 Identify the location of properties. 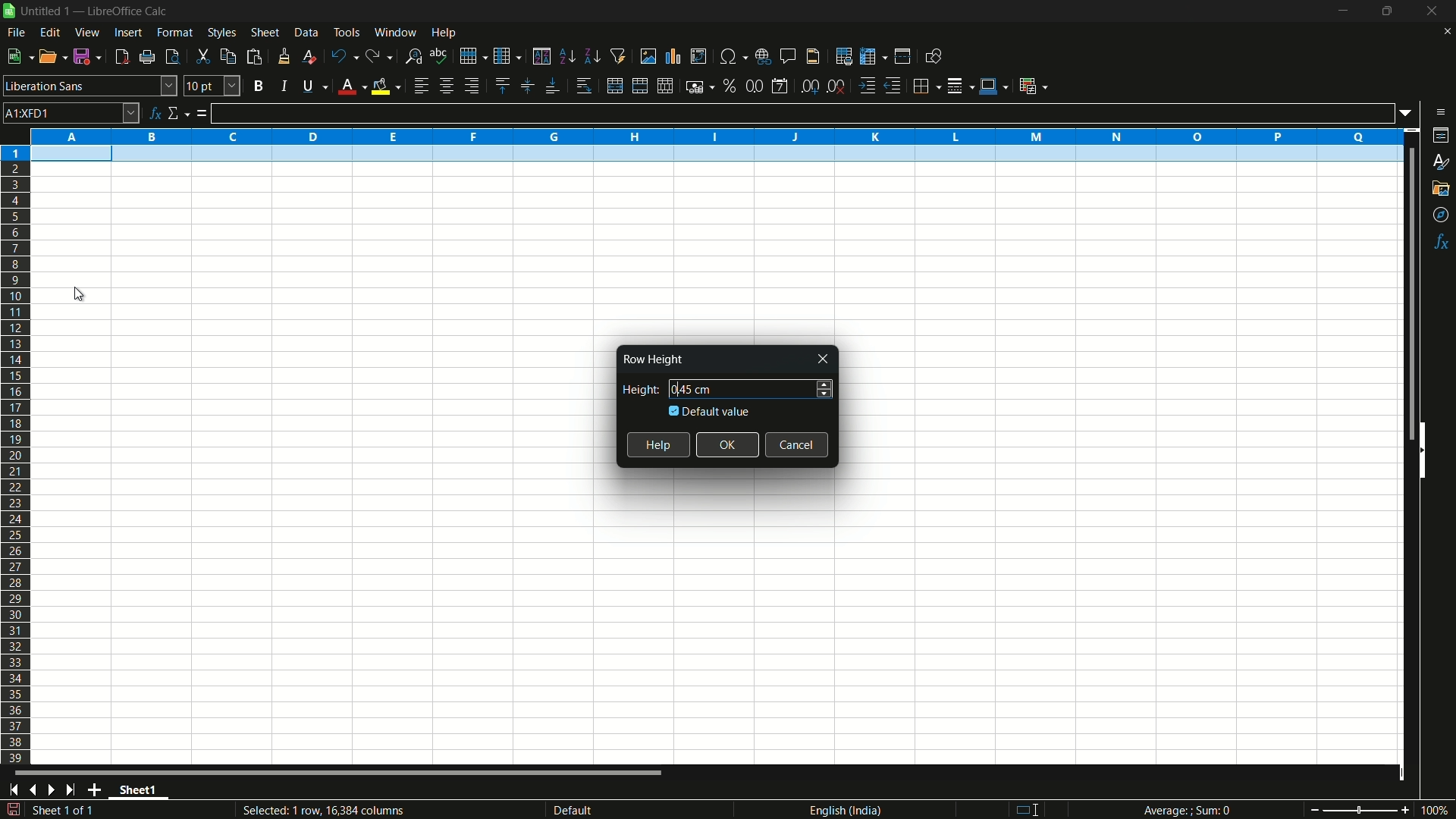
(1442, 135).